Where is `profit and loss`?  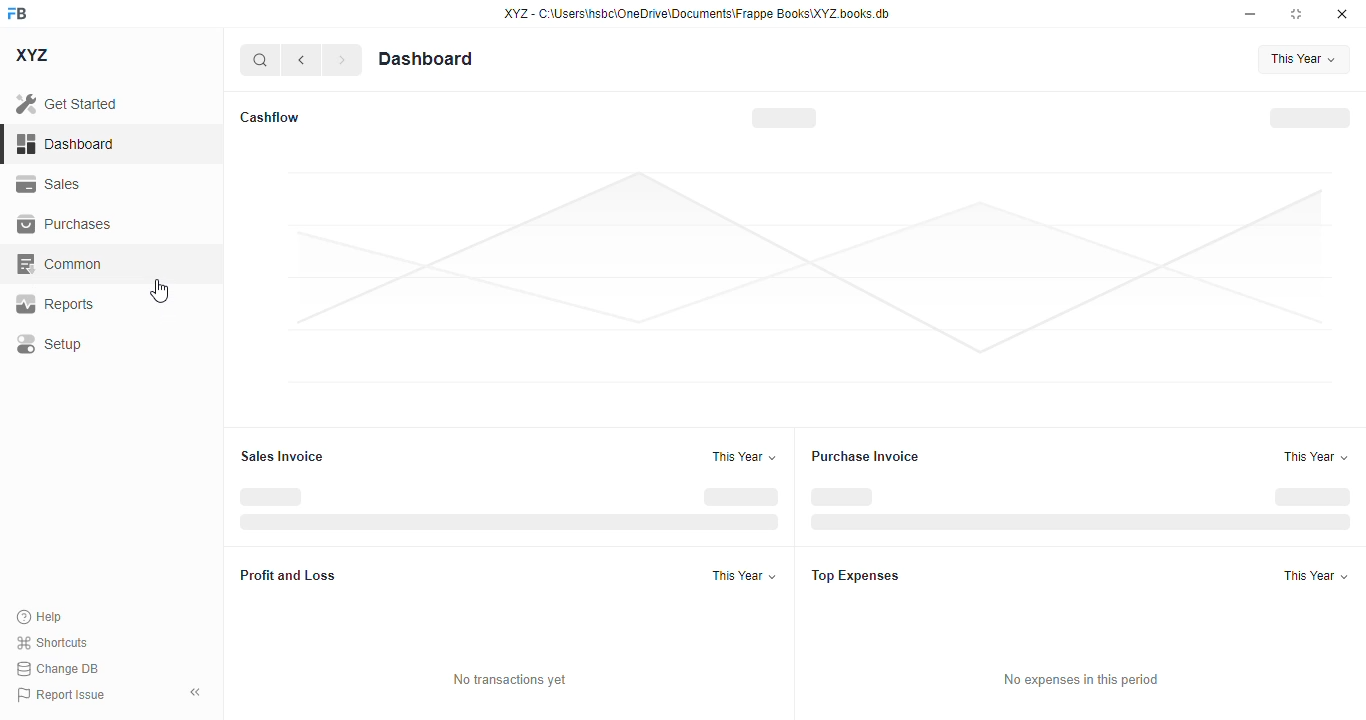 profit and loss is located at coordinates (289, 575).